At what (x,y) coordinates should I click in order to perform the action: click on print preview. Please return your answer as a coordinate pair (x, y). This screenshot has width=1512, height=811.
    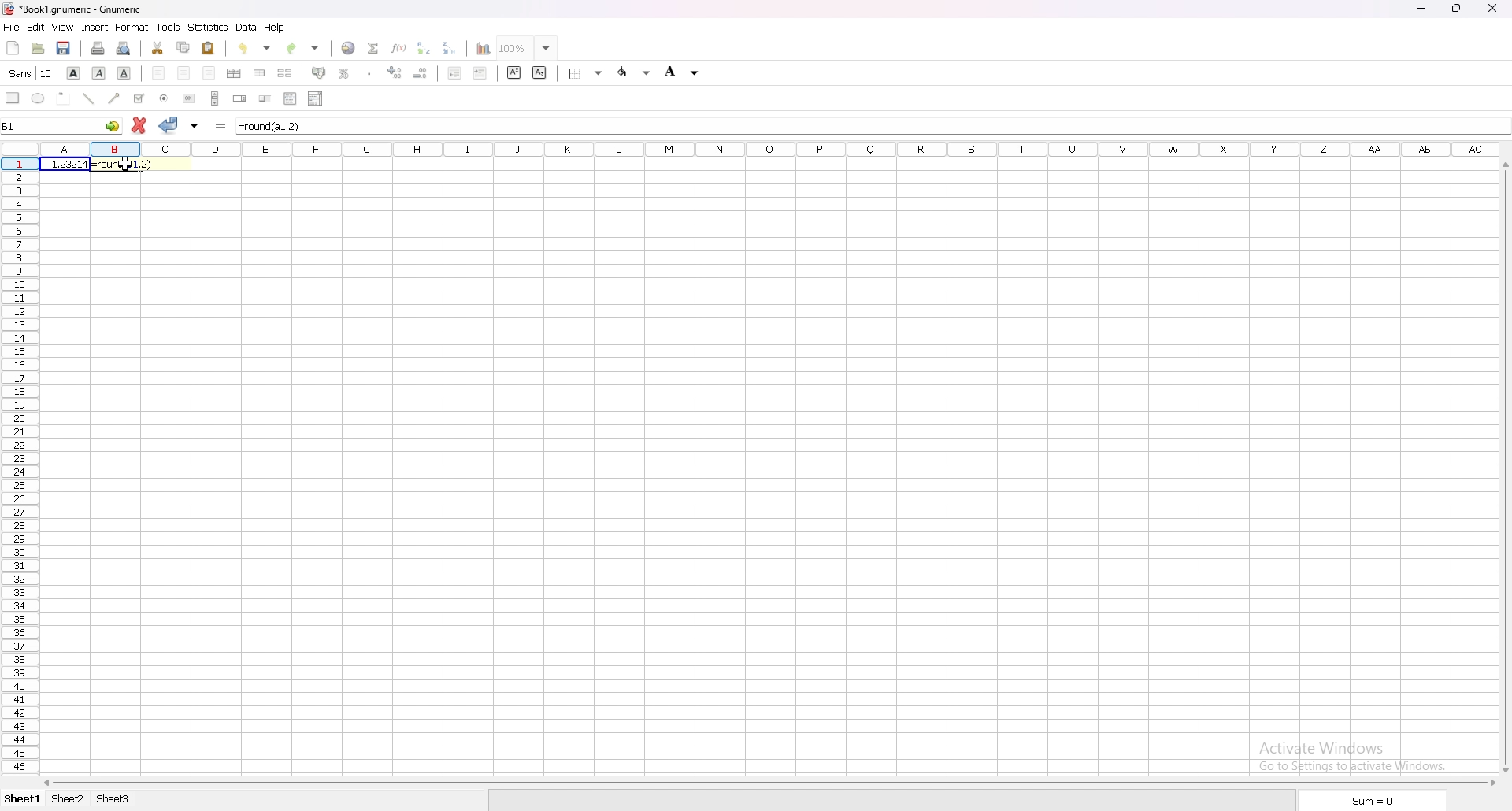
    Looking at the image, I should click on (124, 49).